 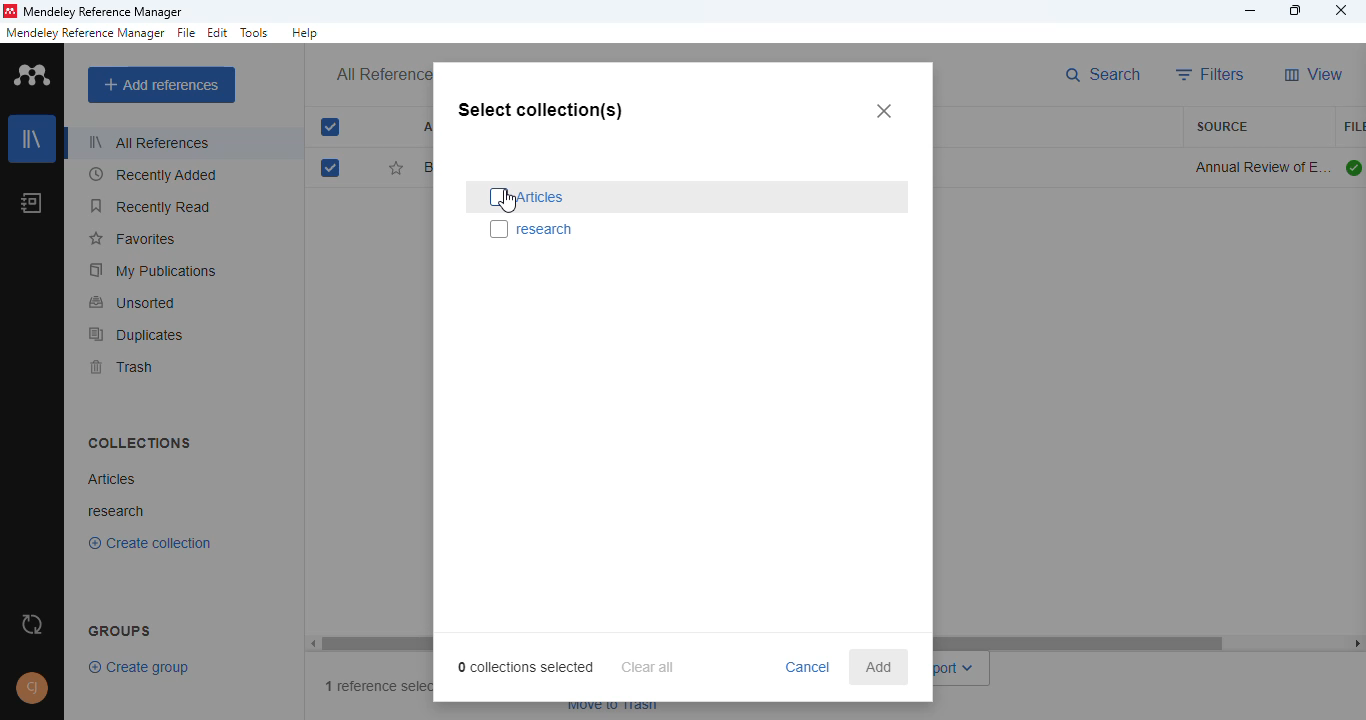 I want to click on annual review of environment and resources, so click(x=1261, y=167).